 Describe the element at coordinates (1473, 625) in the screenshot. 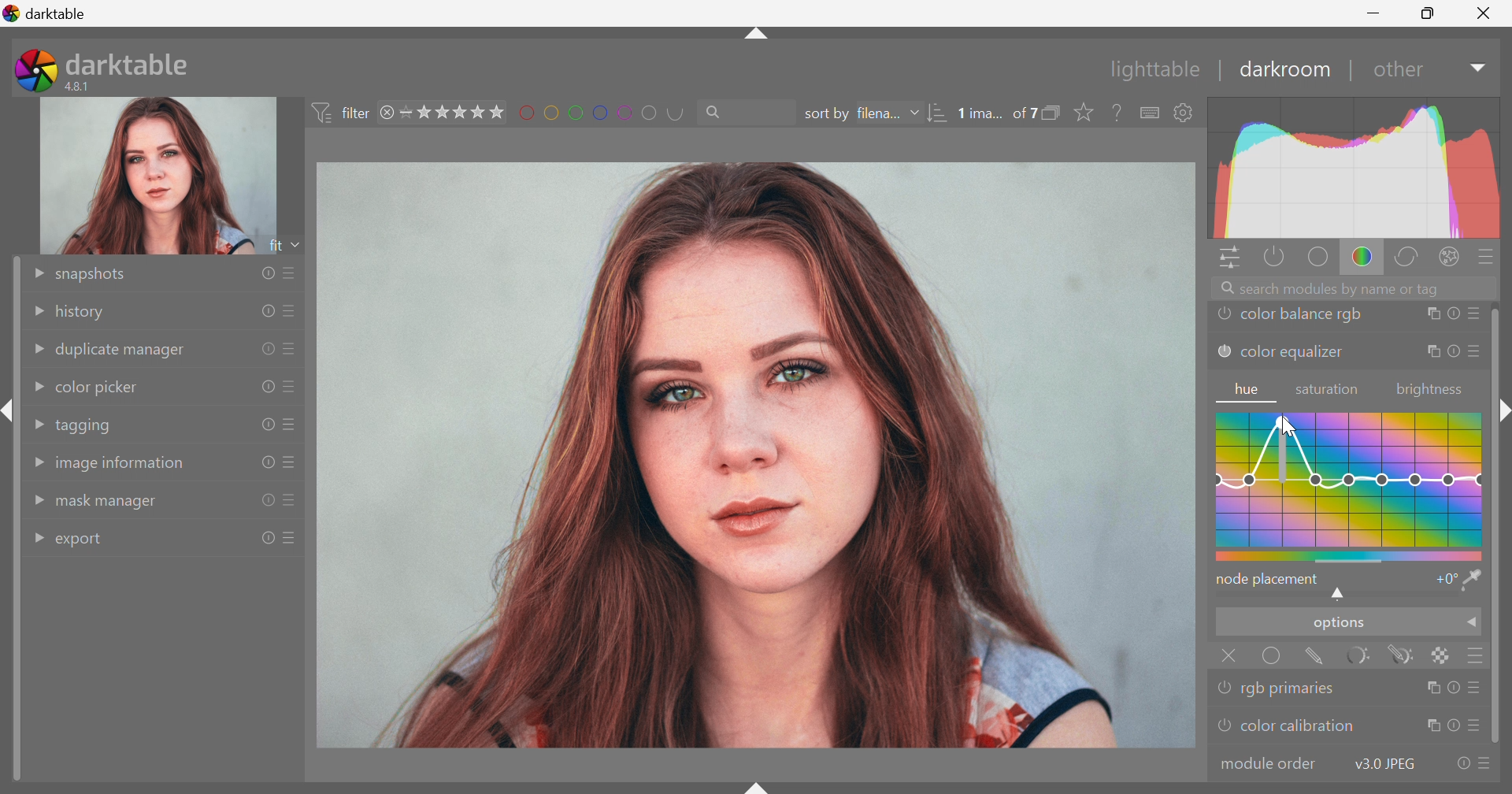

I see `Drop Down` at that location.